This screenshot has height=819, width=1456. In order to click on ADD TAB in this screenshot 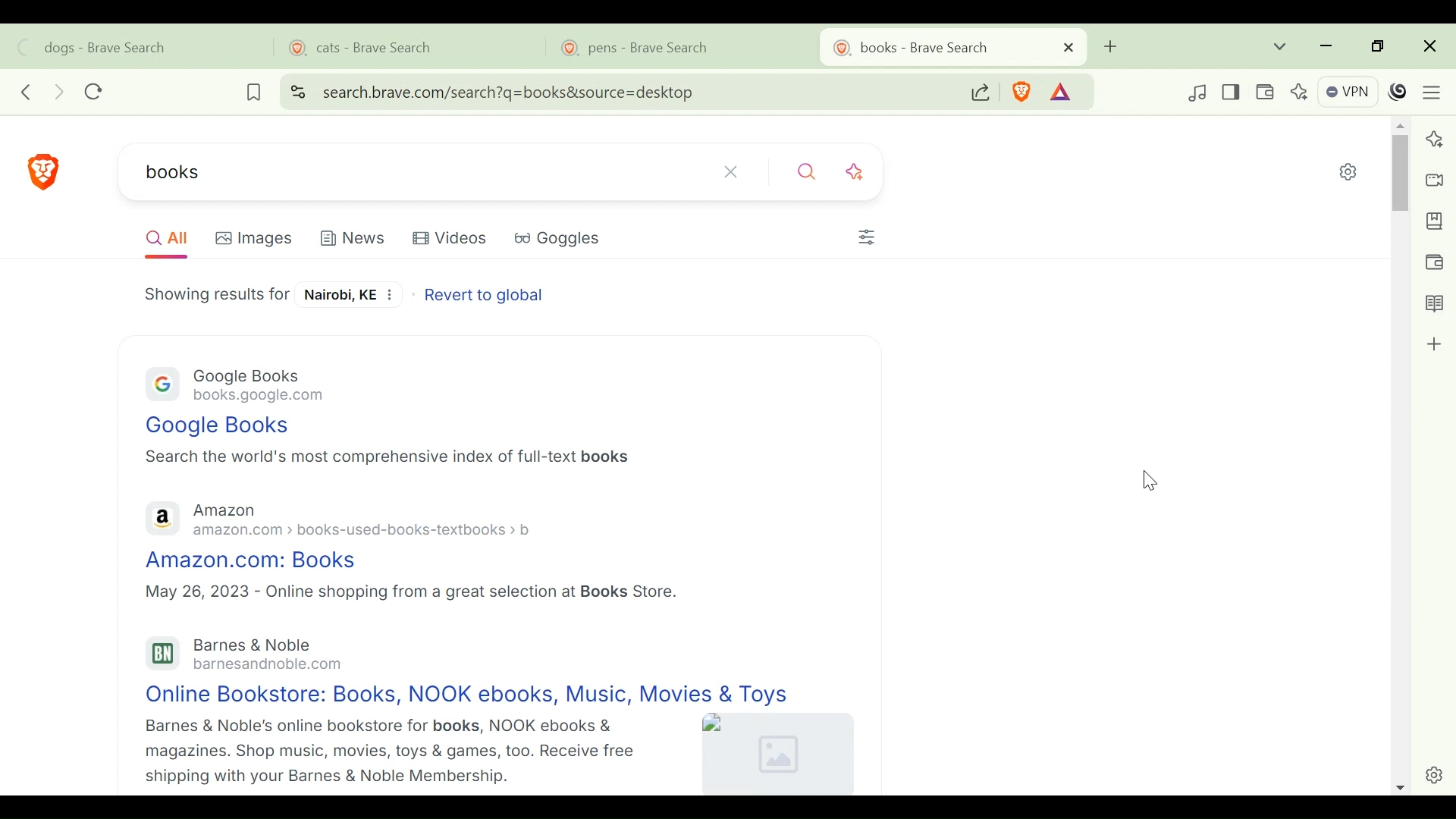, I will do `click(1119, 47)`.